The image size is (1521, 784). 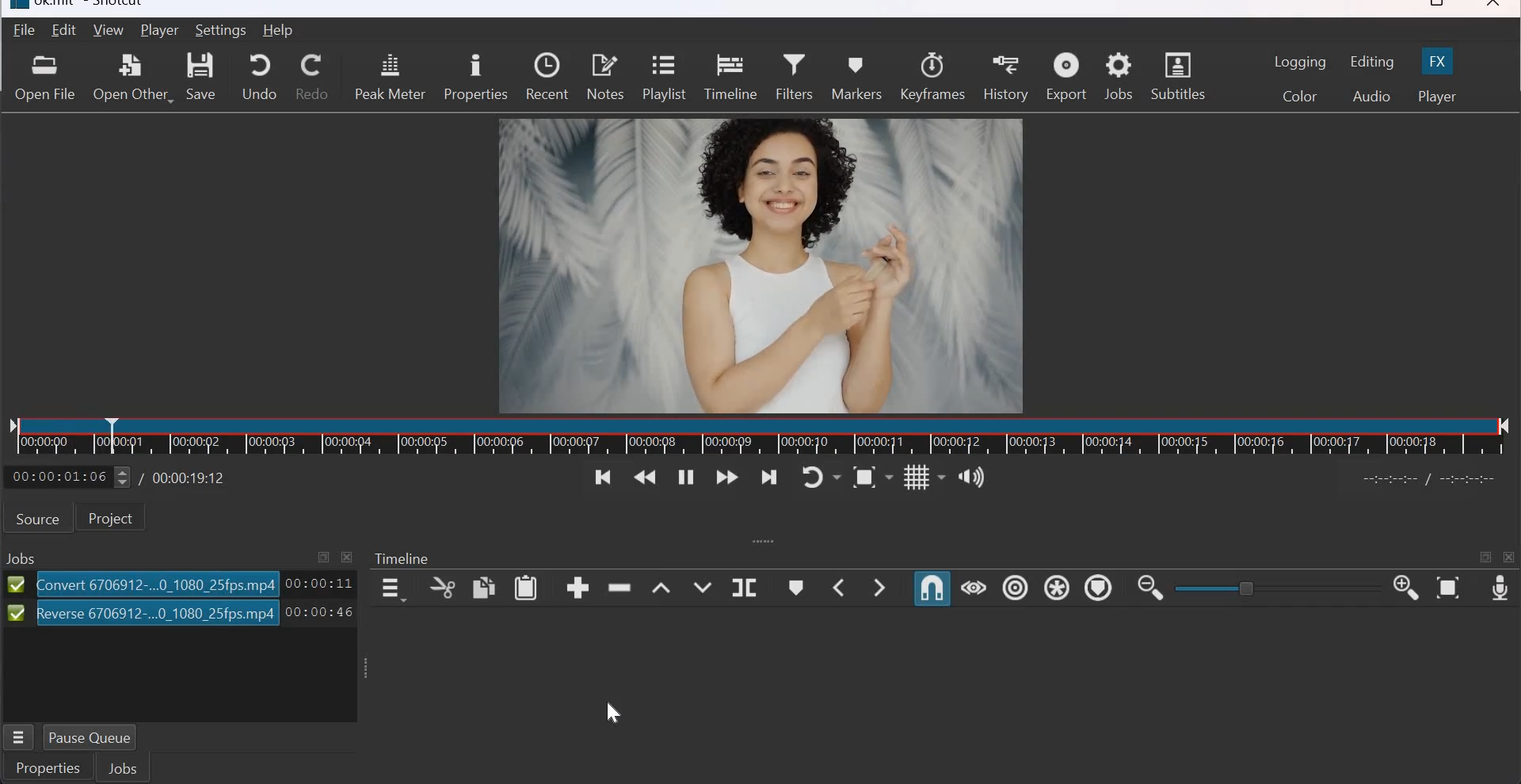 What do you see at coordinates (1406, 589) in the screenshot?
I see `Zoom Timeline in` at bounding box center [1406, 589].